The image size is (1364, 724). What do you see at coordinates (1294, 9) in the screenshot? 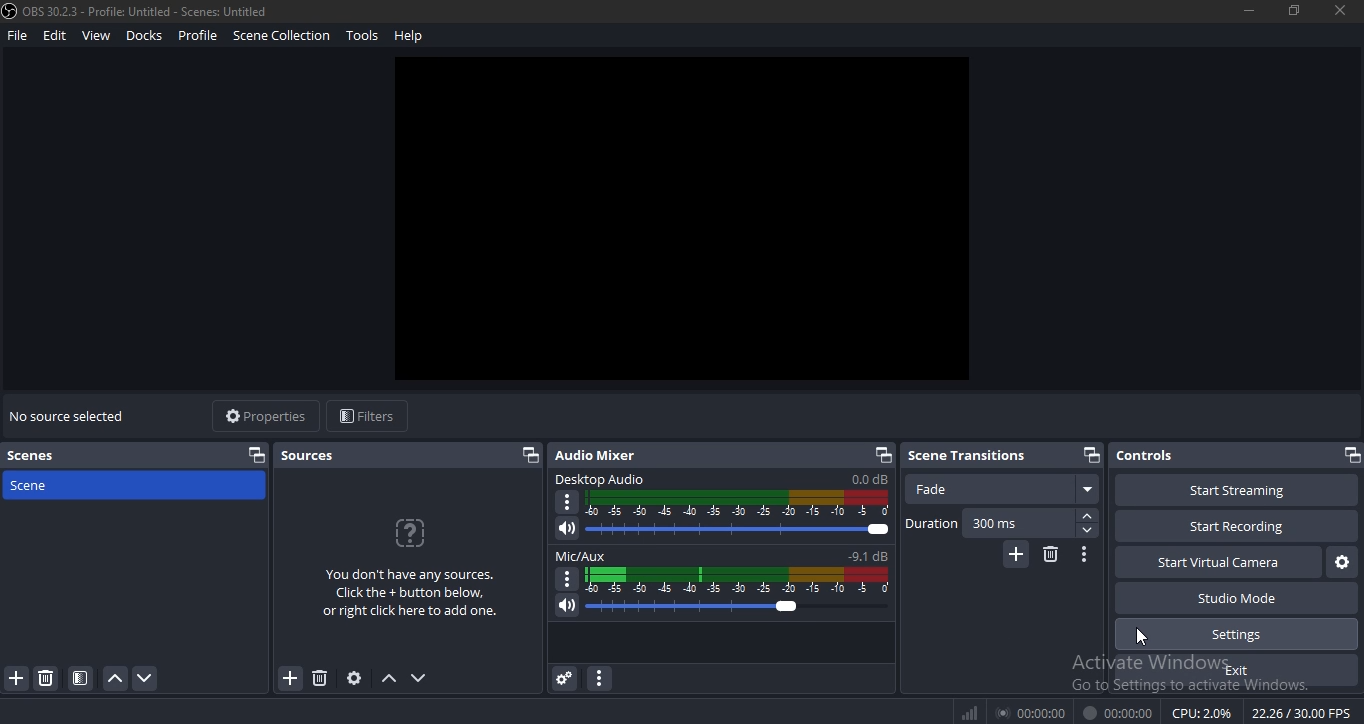
I see `restore` at bounding box center [1294, 9].